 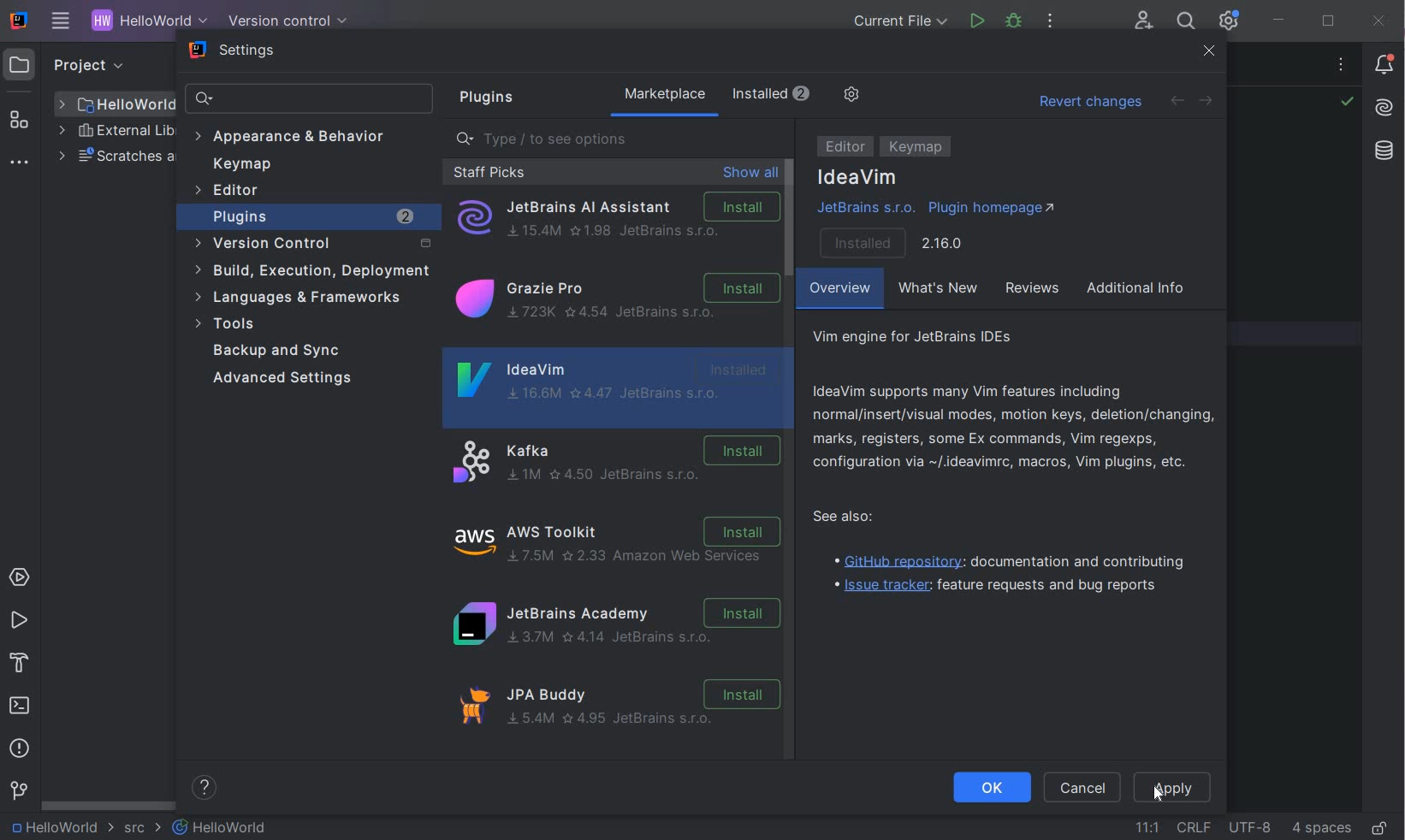 What do you see at coordinates (1249, 826) in the screenshot?
I see `FILE ENCODING` at bounding box center [1249, 826].